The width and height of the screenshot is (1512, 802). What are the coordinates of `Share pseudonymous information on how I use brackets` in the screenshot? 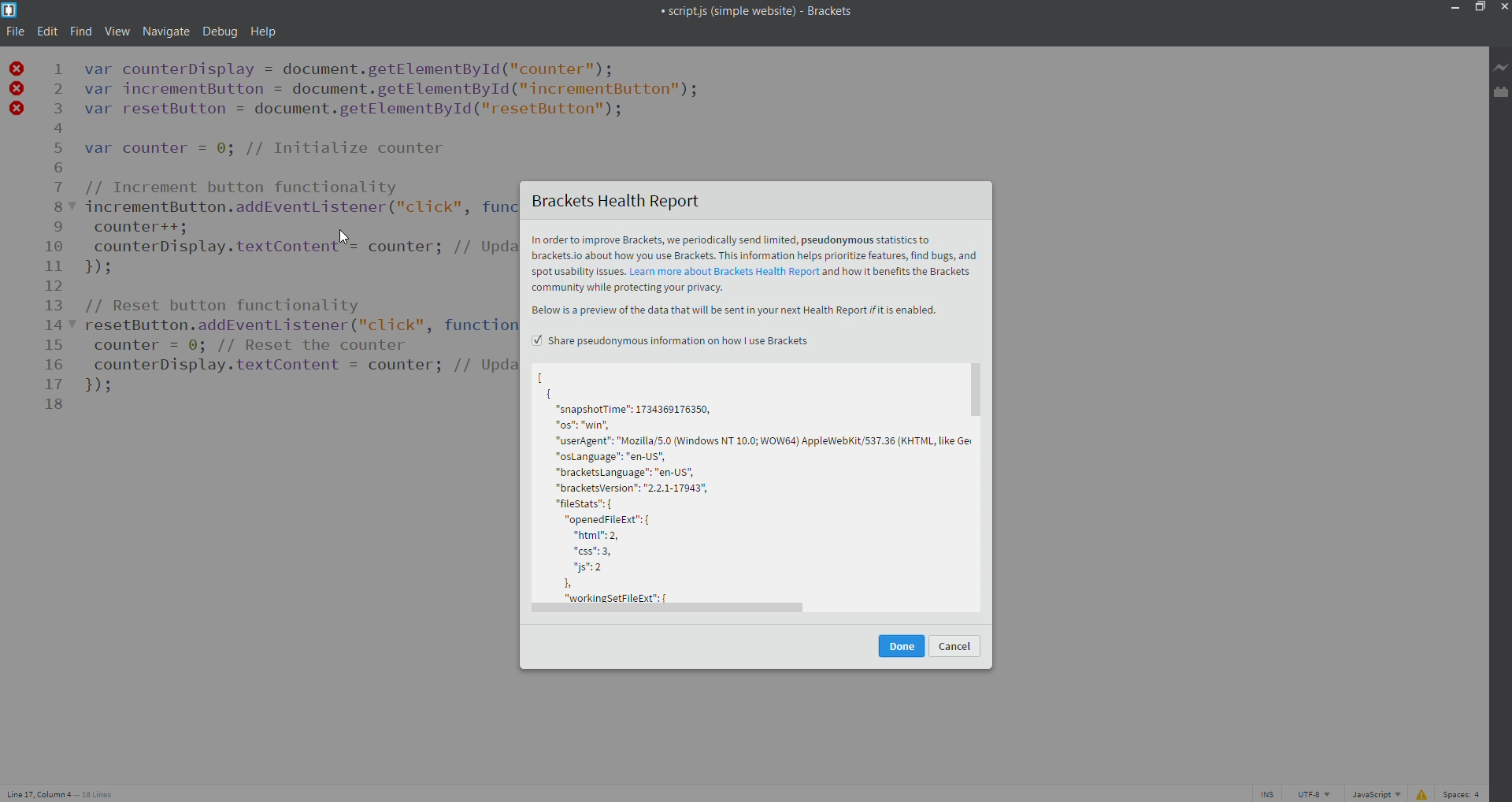 It's located at (673, 340).